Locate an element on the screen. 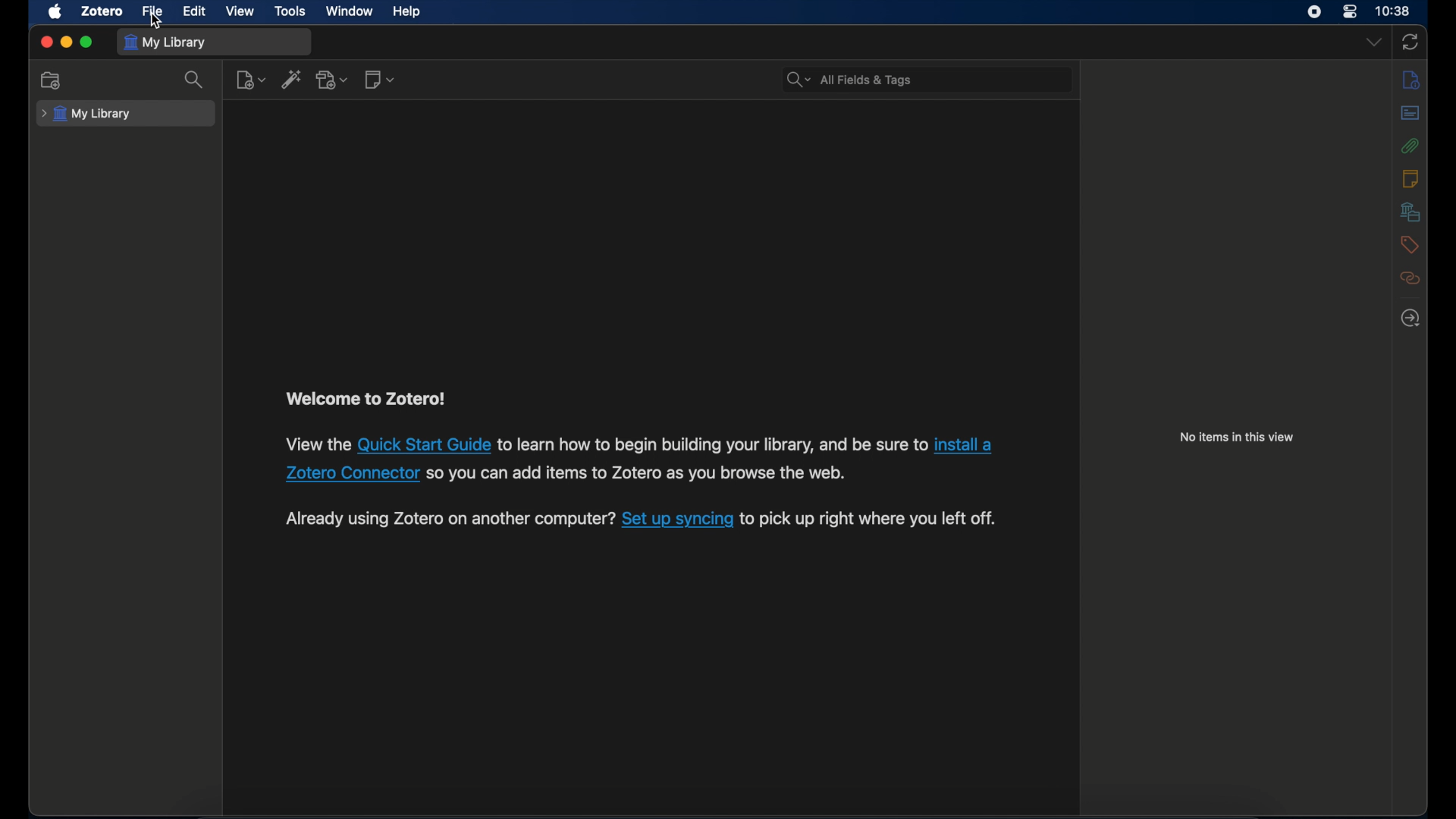  Already using Zotero on another computer is located at coordinates (447, 519).